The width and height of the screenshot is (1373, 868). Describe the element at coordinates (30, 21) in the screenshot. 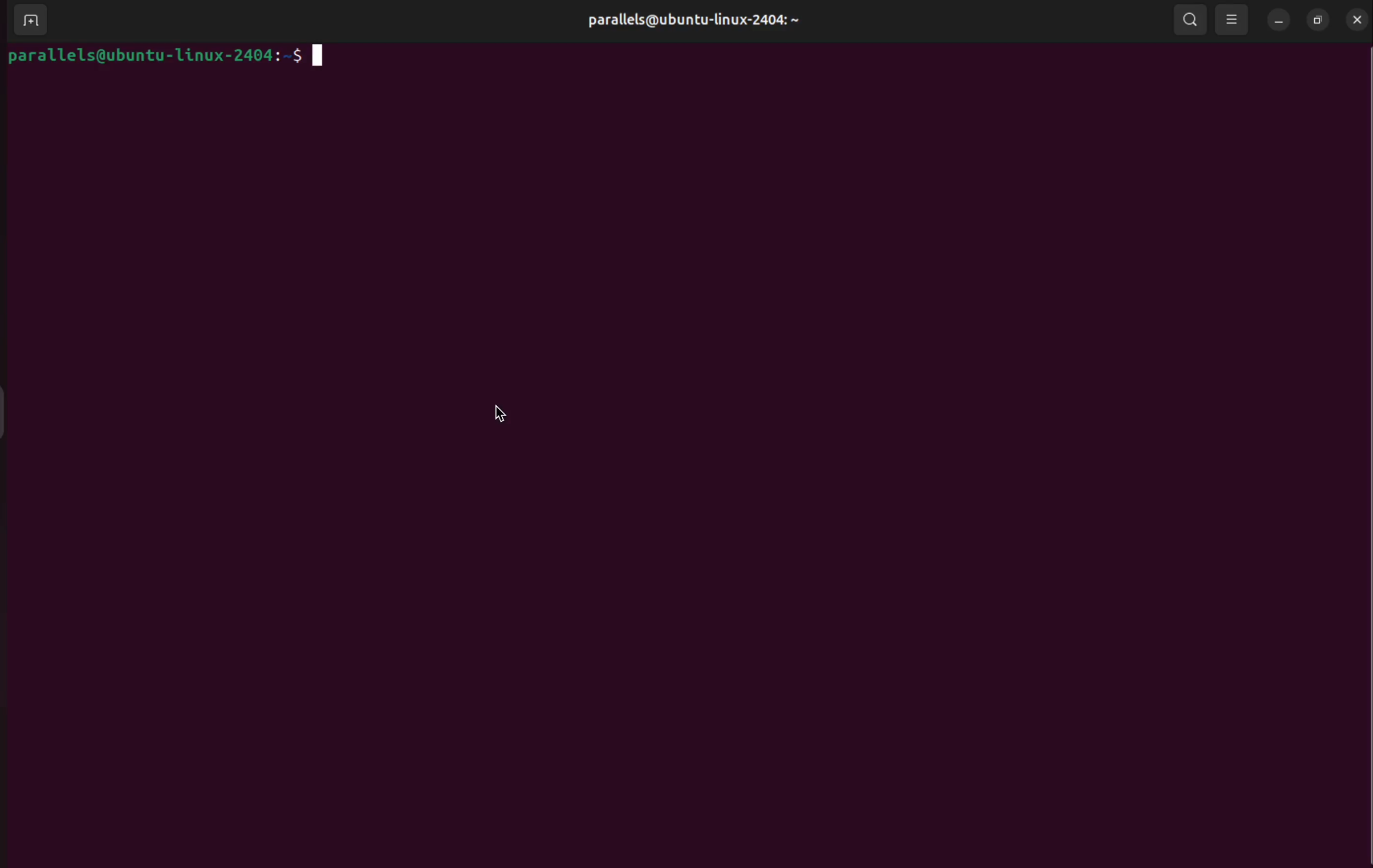

I see `add terminal` at that location.